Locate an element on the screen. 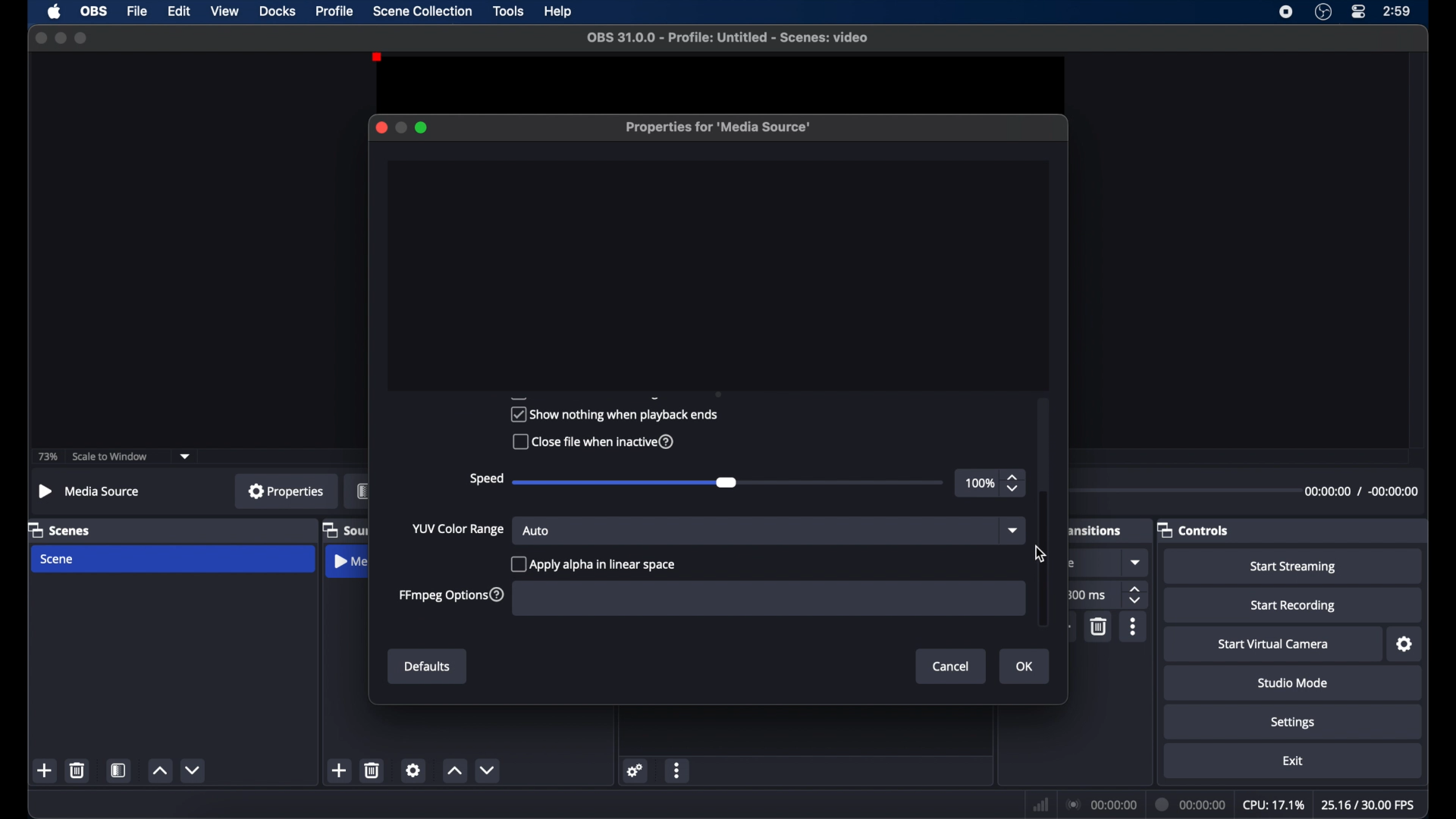 The height and width of the screenshot is (819, 1456). add is located at coordinates (44, 770).